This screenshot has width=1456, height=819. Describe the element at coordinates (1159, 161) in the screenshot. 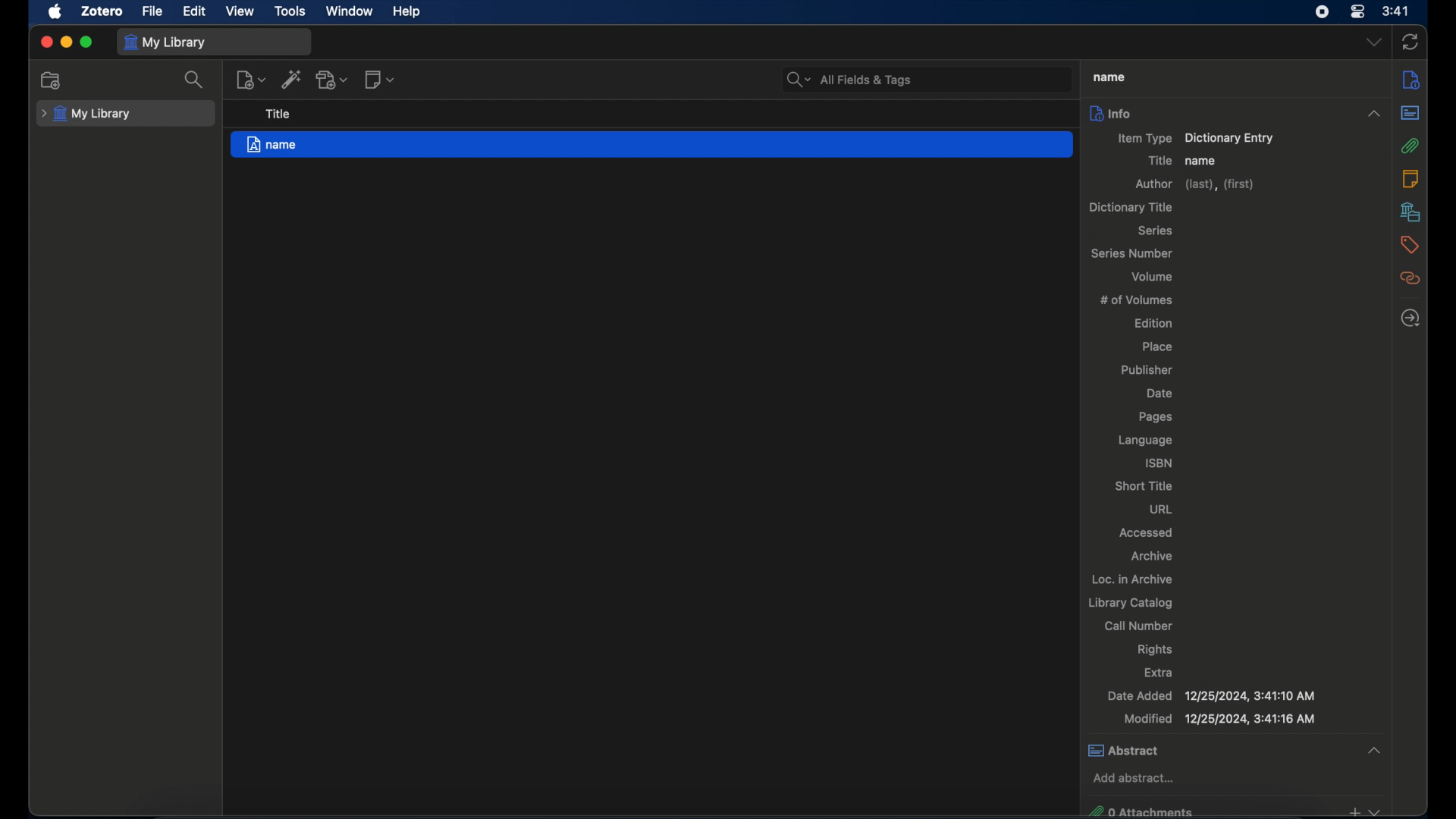

I see `title` at that location.